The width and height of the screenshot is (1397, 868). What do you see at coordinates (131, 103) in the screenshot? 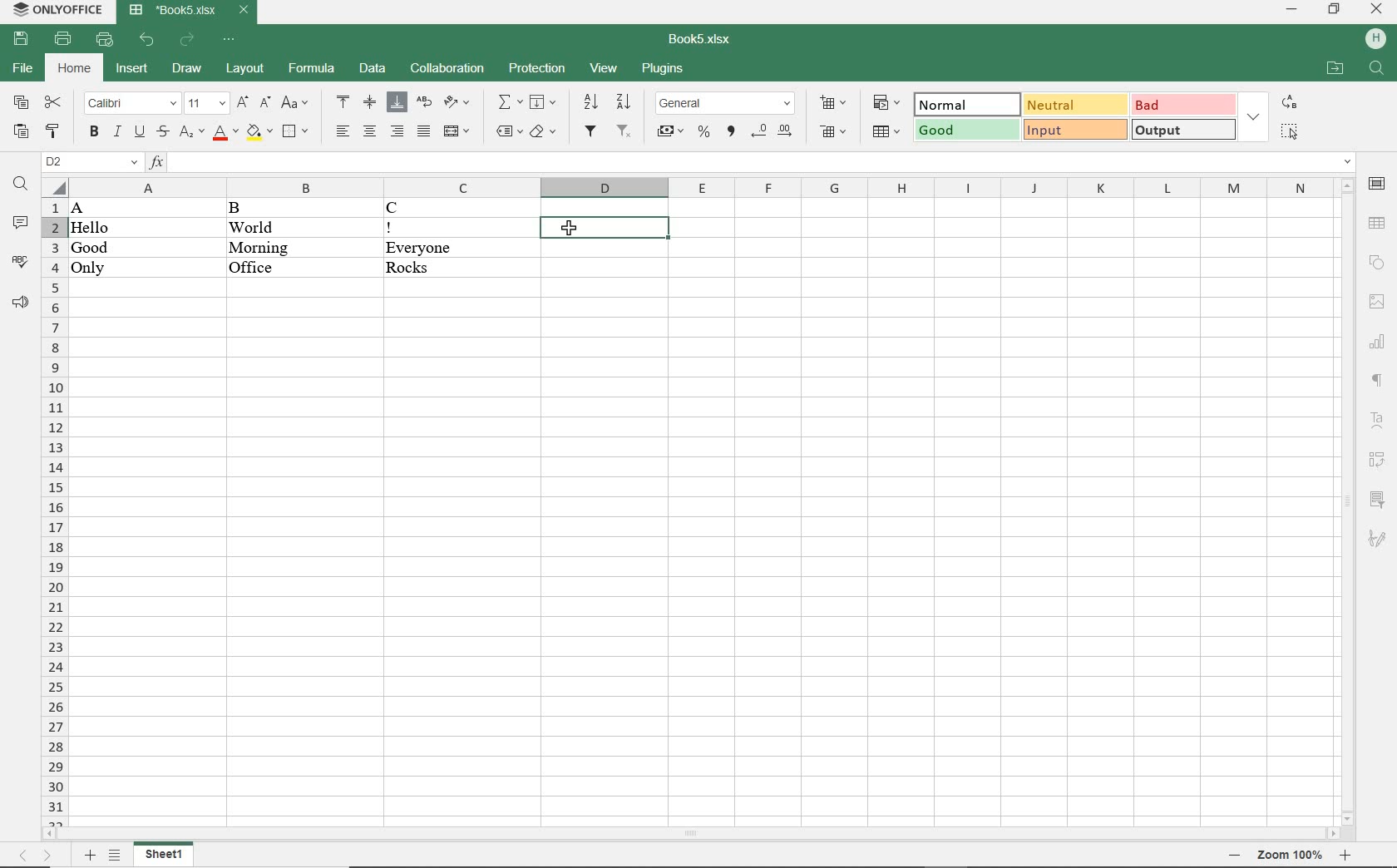
I see `FONT` at bounding box center [131, 103].